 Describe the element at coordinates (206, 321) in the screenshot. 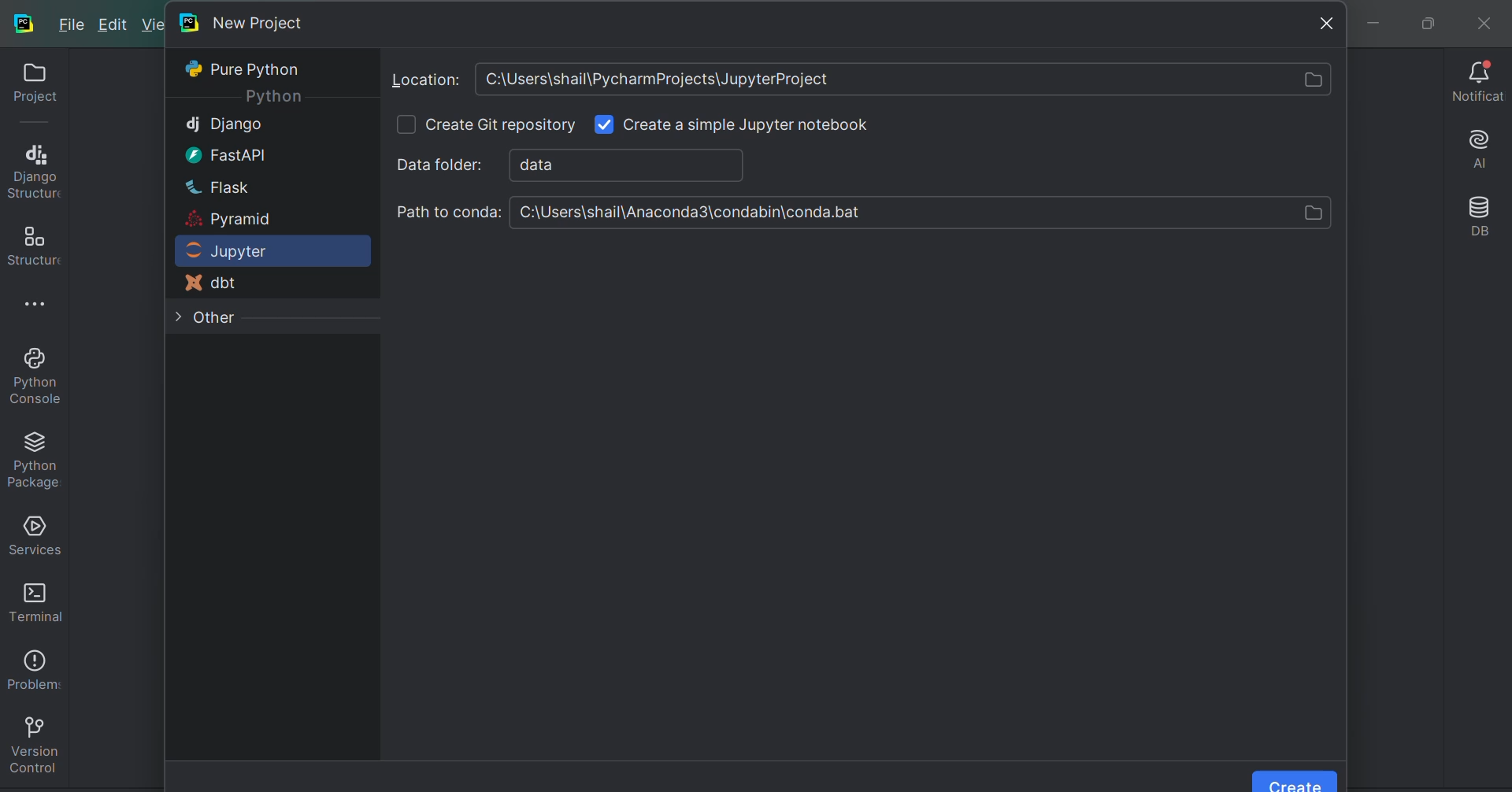

I see `Other` at that location.